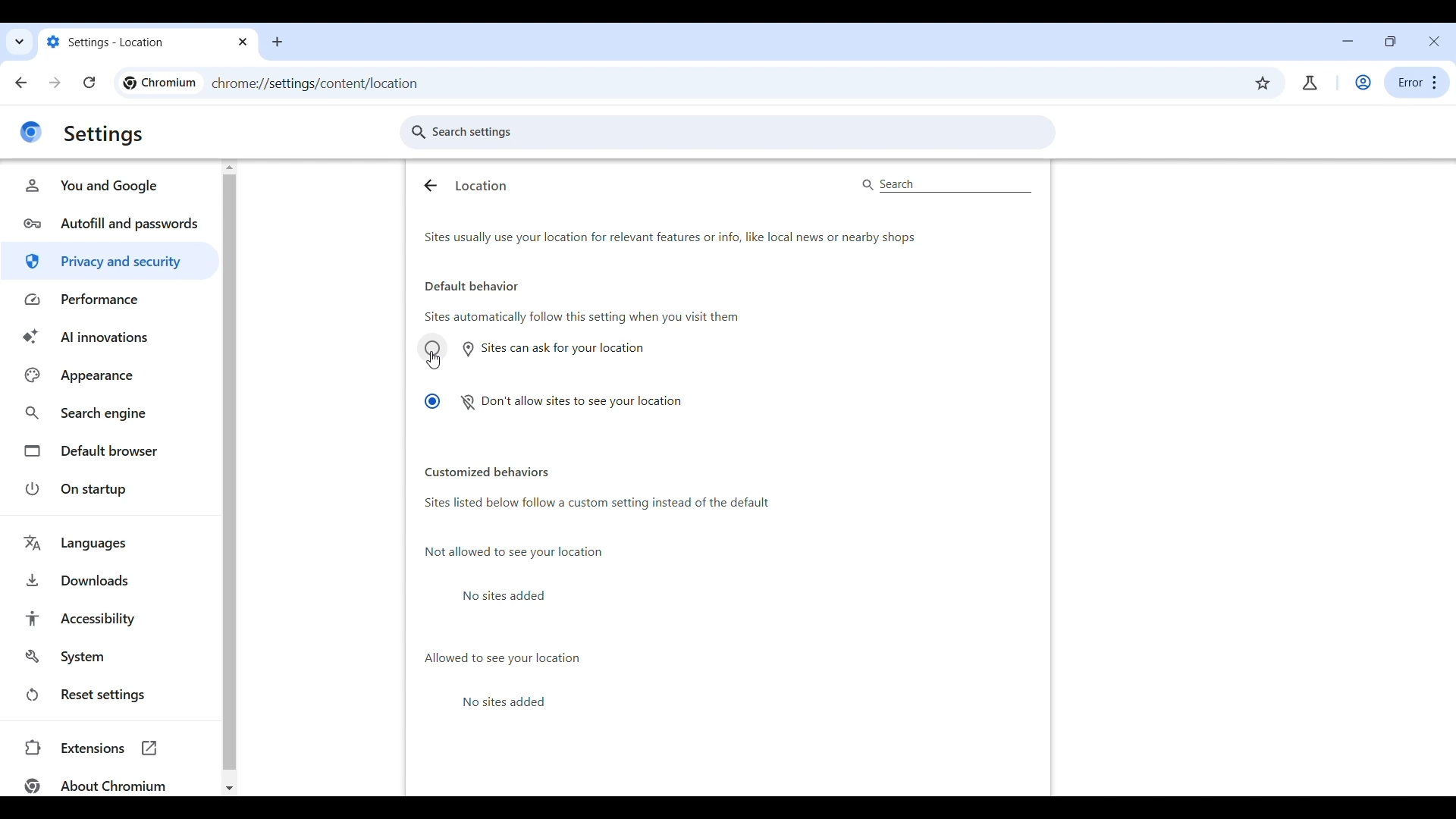 This screenshot has height=819, width=1456. What do you see at coordinates (133, 41) in the screenshot?
I see `Setting - site settings` at bounding box center [133, 41].